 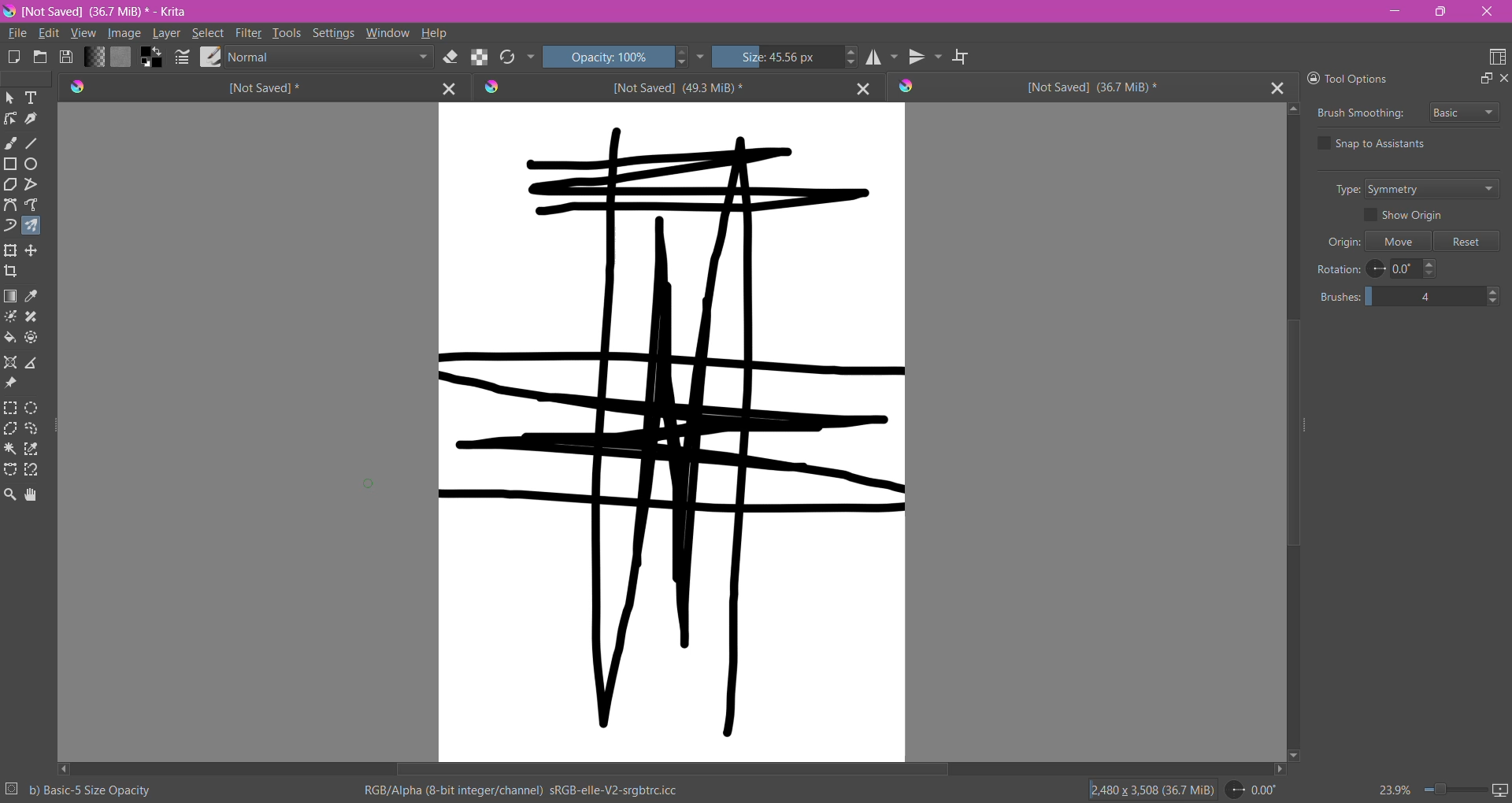 I want to click on Set the Brush Size, so click(x=776, y=57).